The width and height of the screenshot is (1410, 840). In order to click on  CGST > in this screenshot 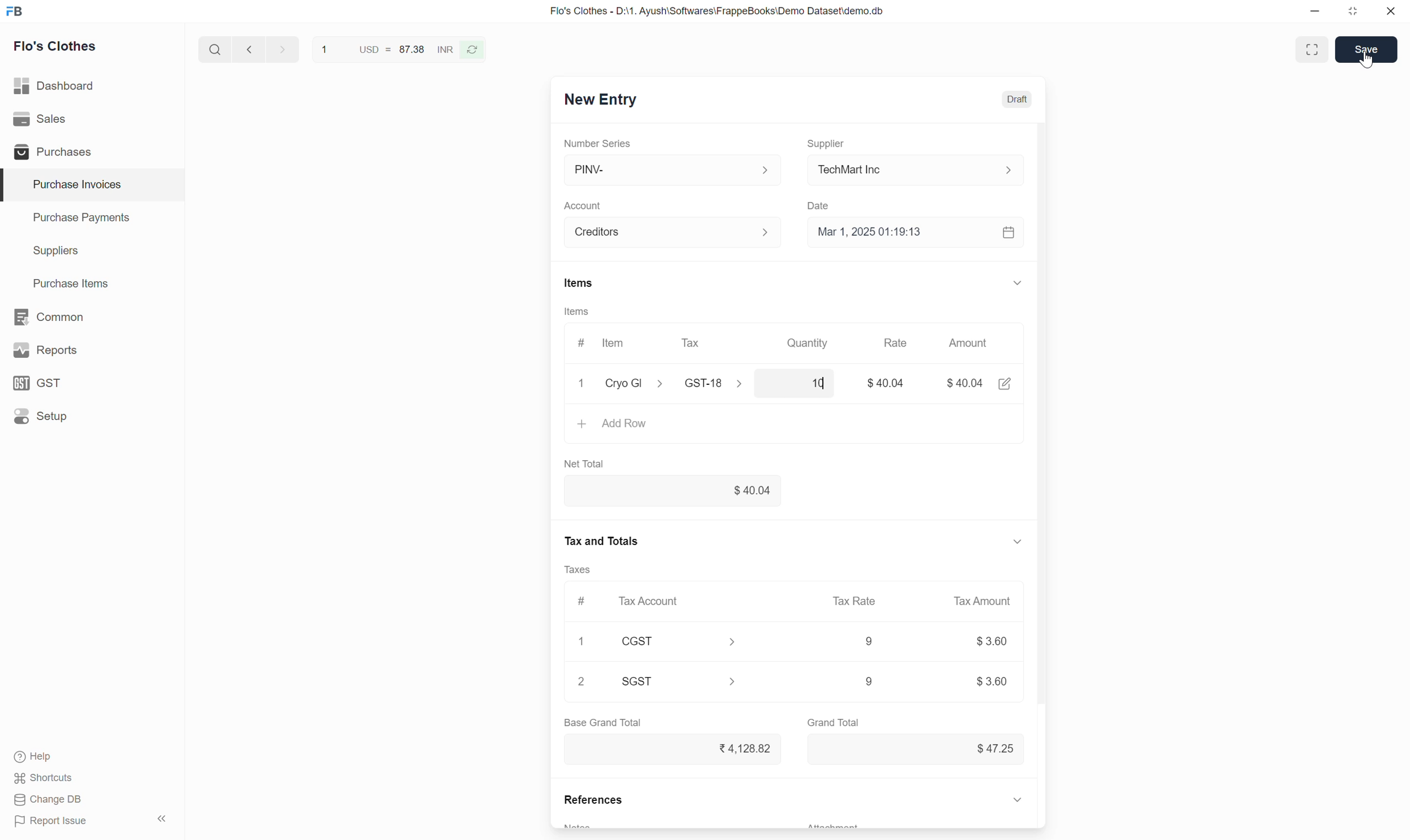, I will do `click(683, 643)`.